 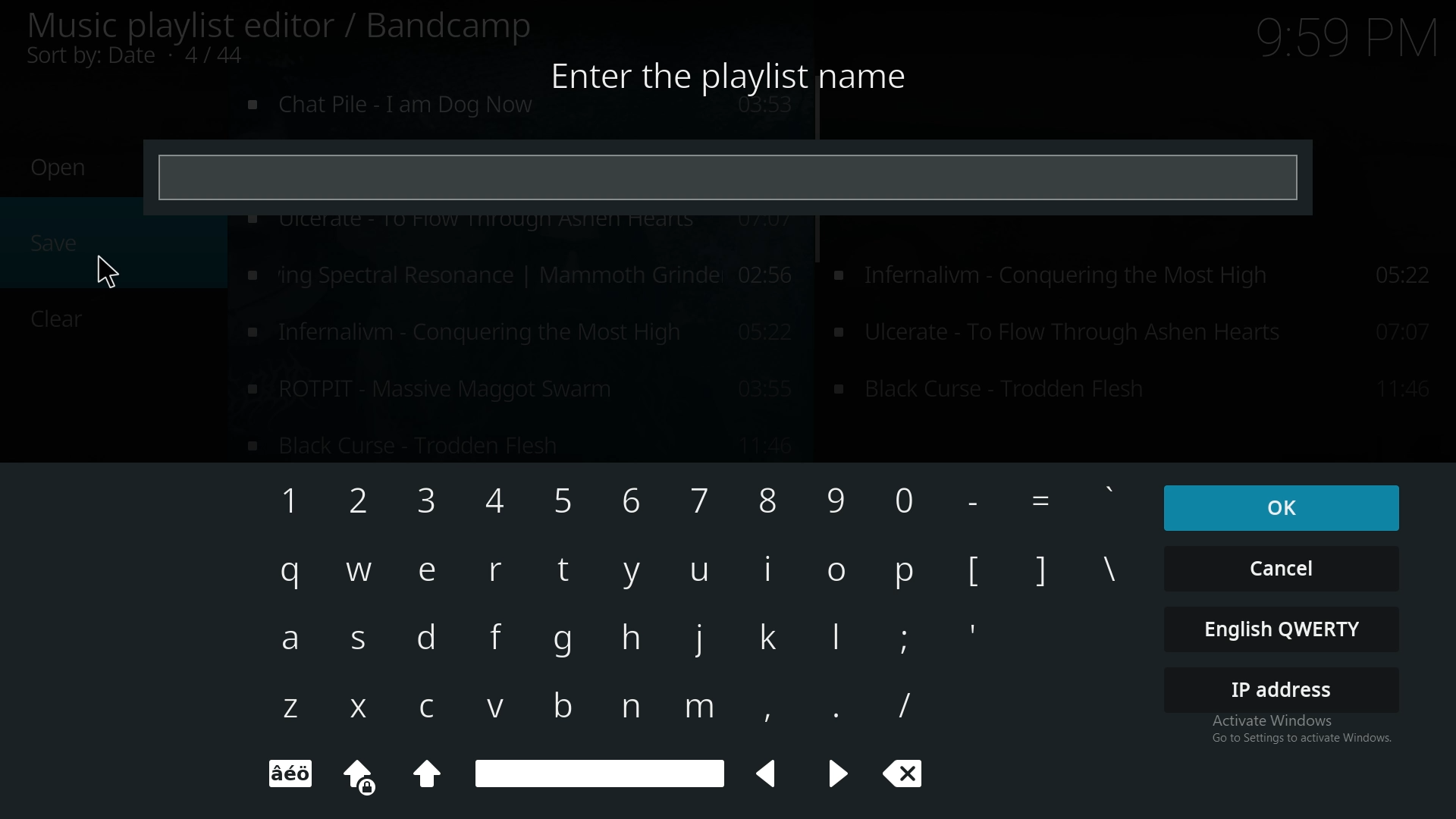 I want to click on keyboard input, so click(x=1042, y=567).